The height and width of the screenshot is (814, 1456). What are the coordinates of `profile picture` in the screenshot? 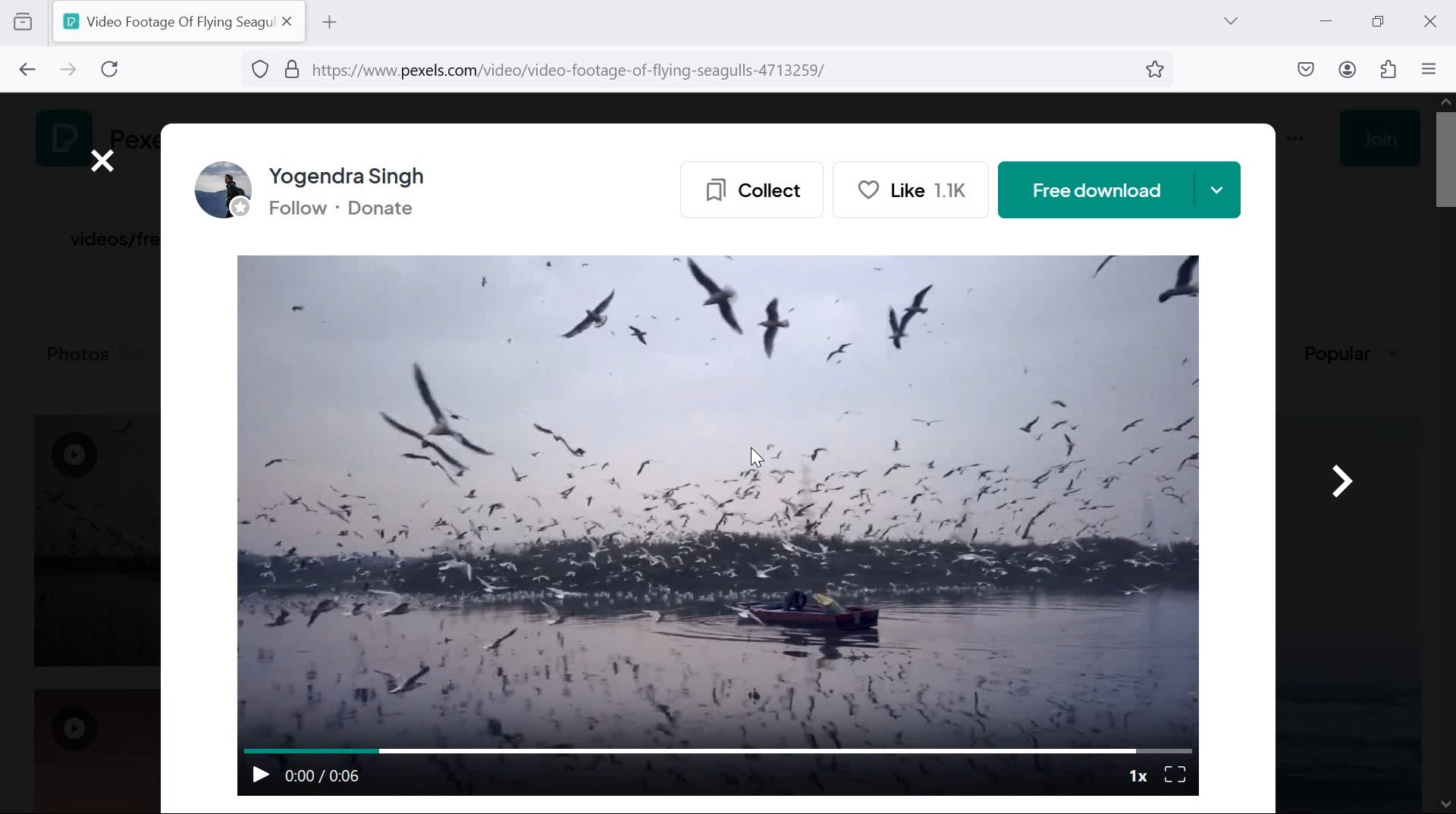 It's located at (218, 191).